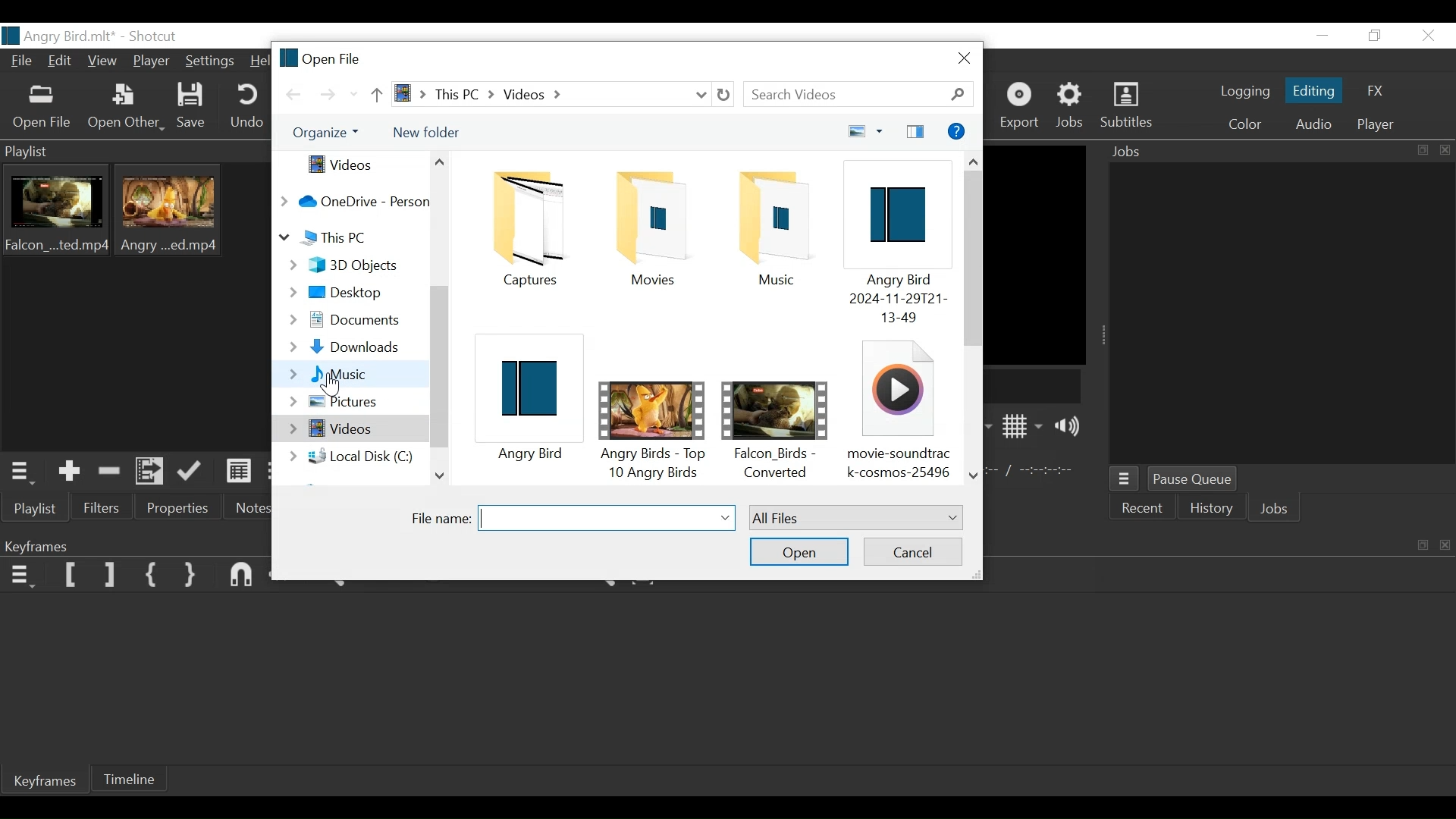  I want to click on Open File, so click(318, 58).